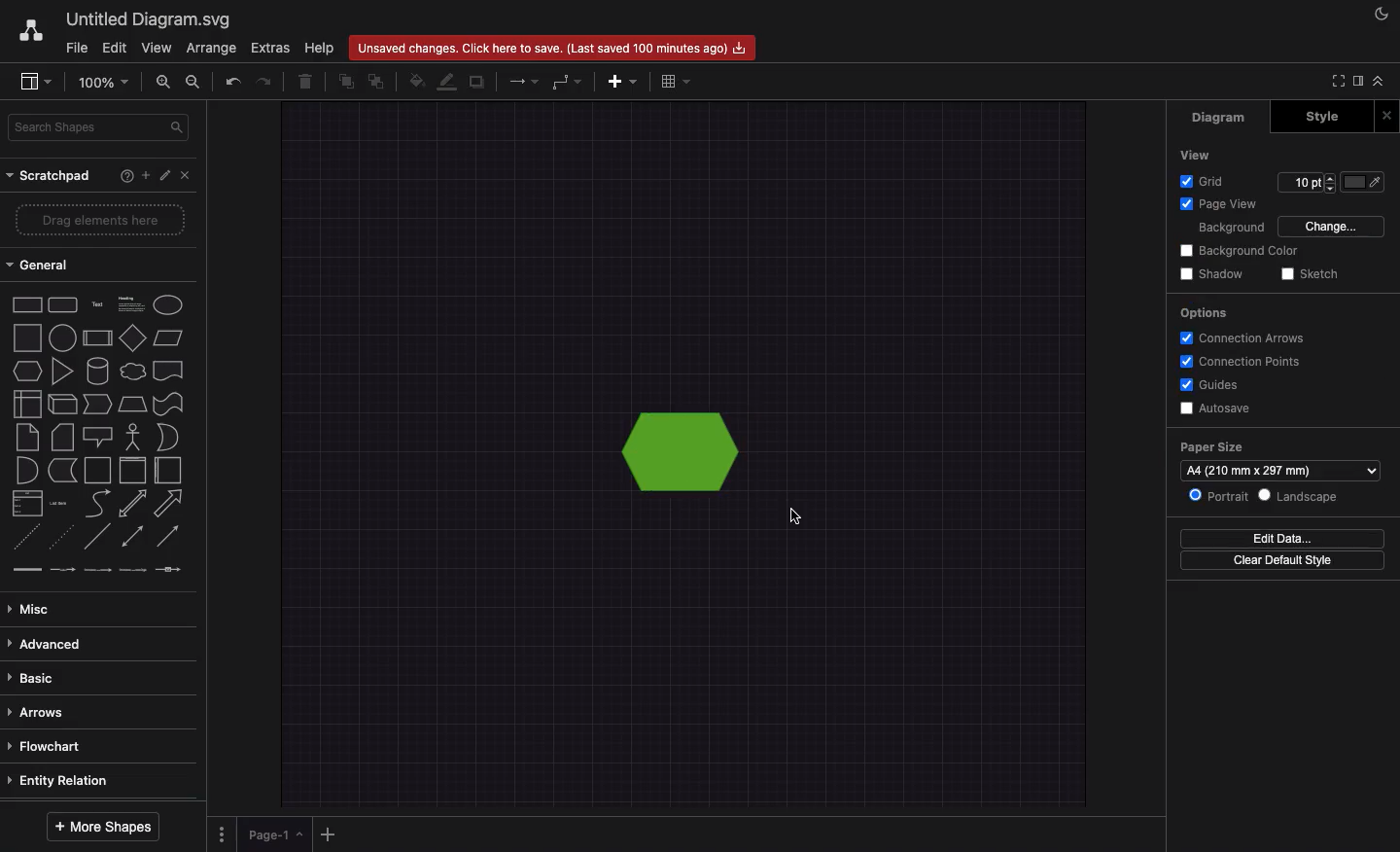 Image resolution: width=1400 pixels, height=852 pixels. What do you see at coordinates (1242, 249) in the screenshot?
I see `Background color` at bounding box center [1242, 249].